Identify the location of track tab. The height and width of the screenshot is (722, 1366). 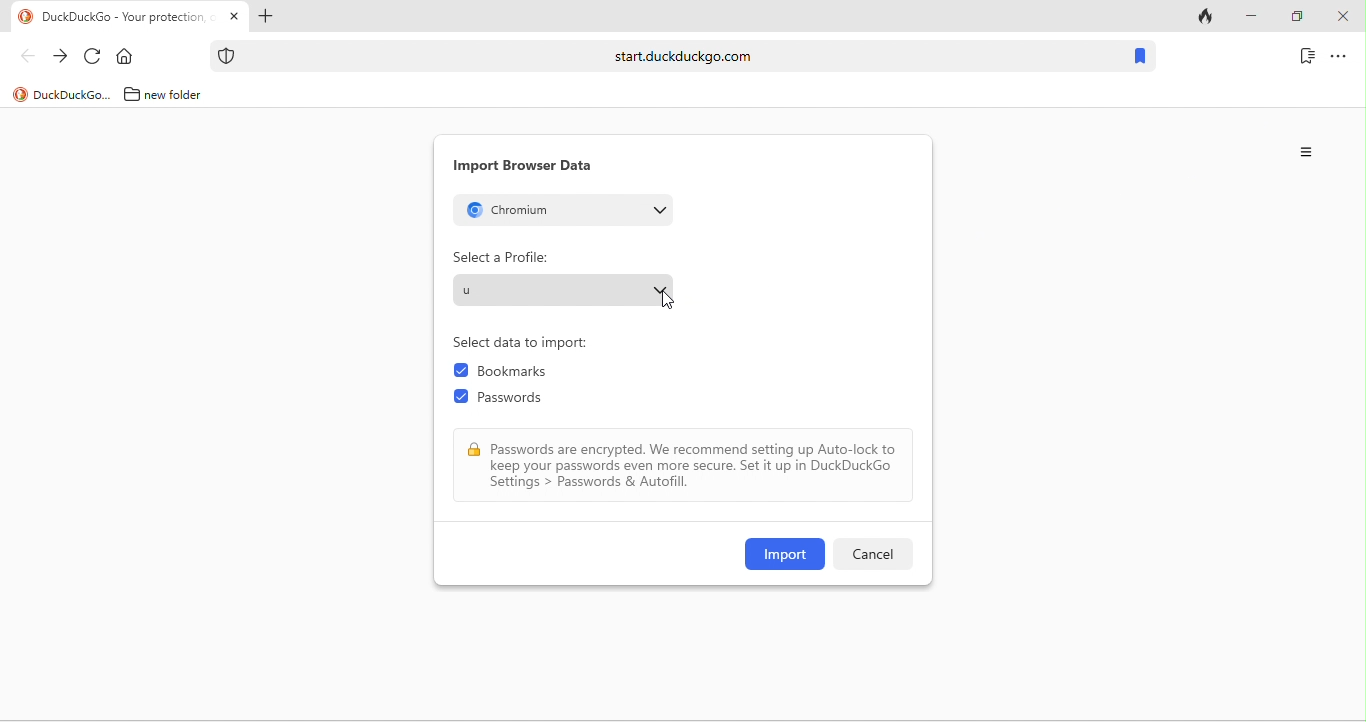
(1208, 18).